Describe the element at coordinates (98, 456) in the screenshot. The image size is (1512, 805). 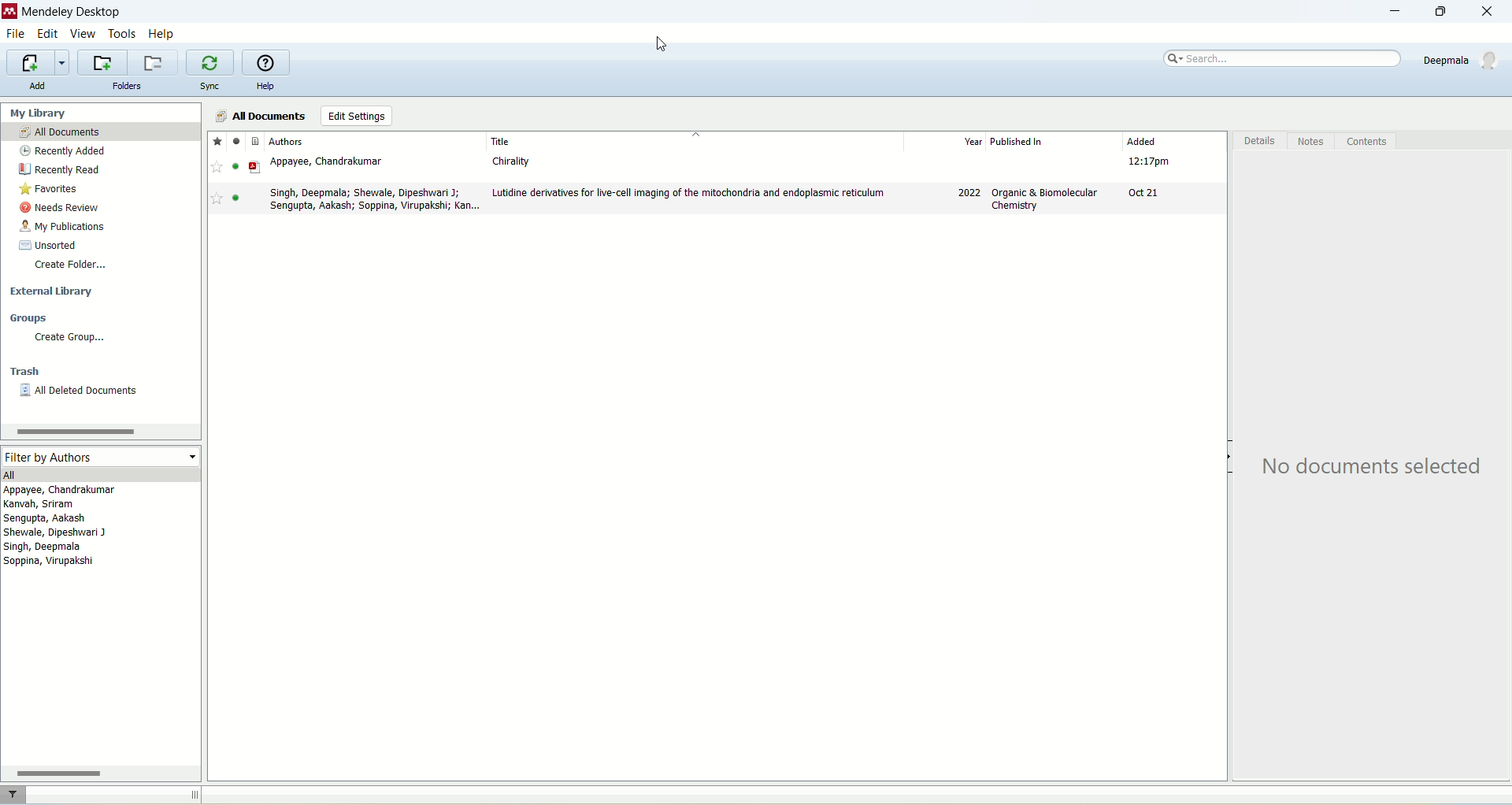
I see `filter by authors` at that location.